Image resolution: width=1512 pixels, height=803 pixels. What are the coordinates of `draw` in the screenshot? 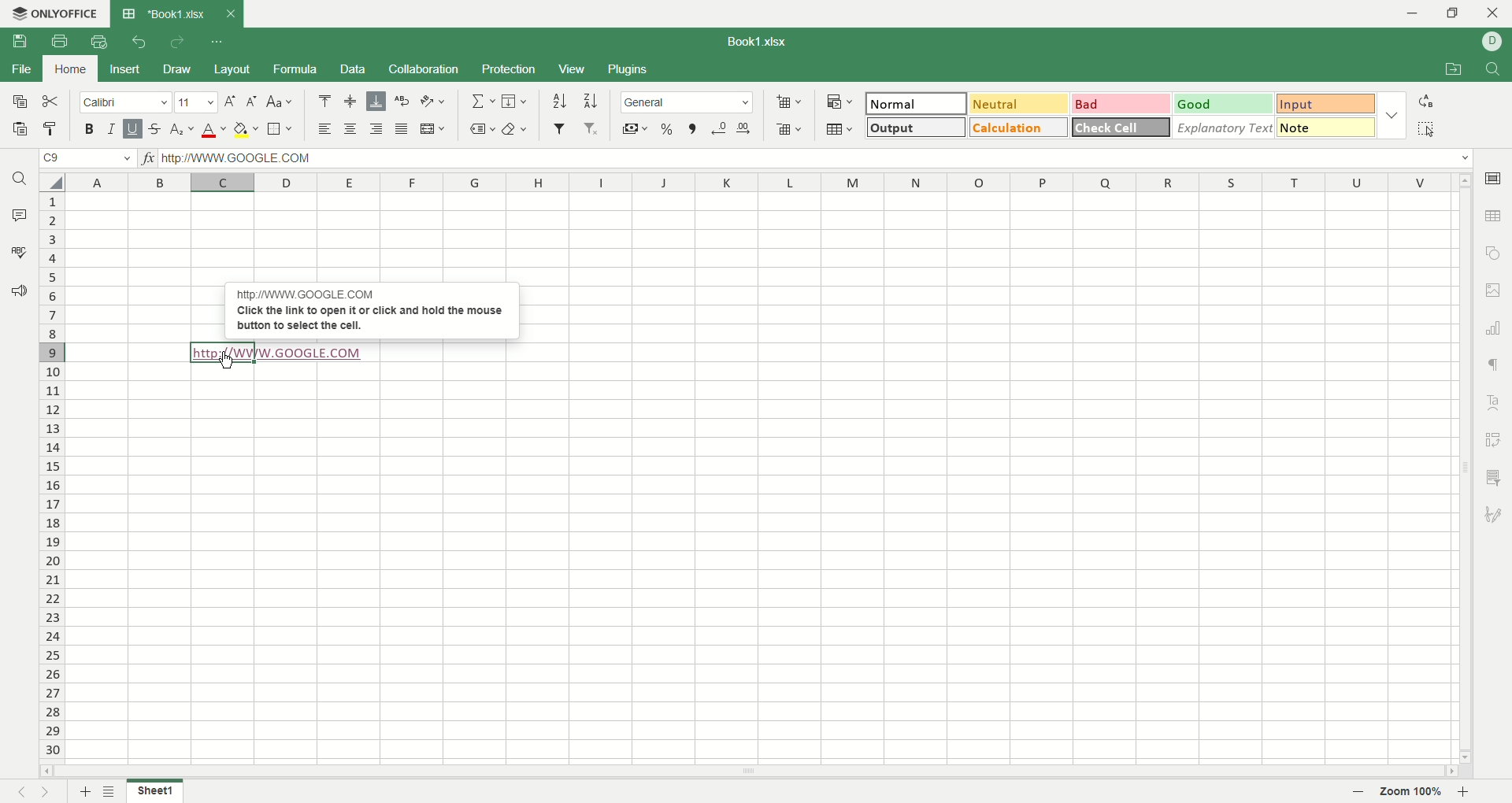 It's located at (177, 69).